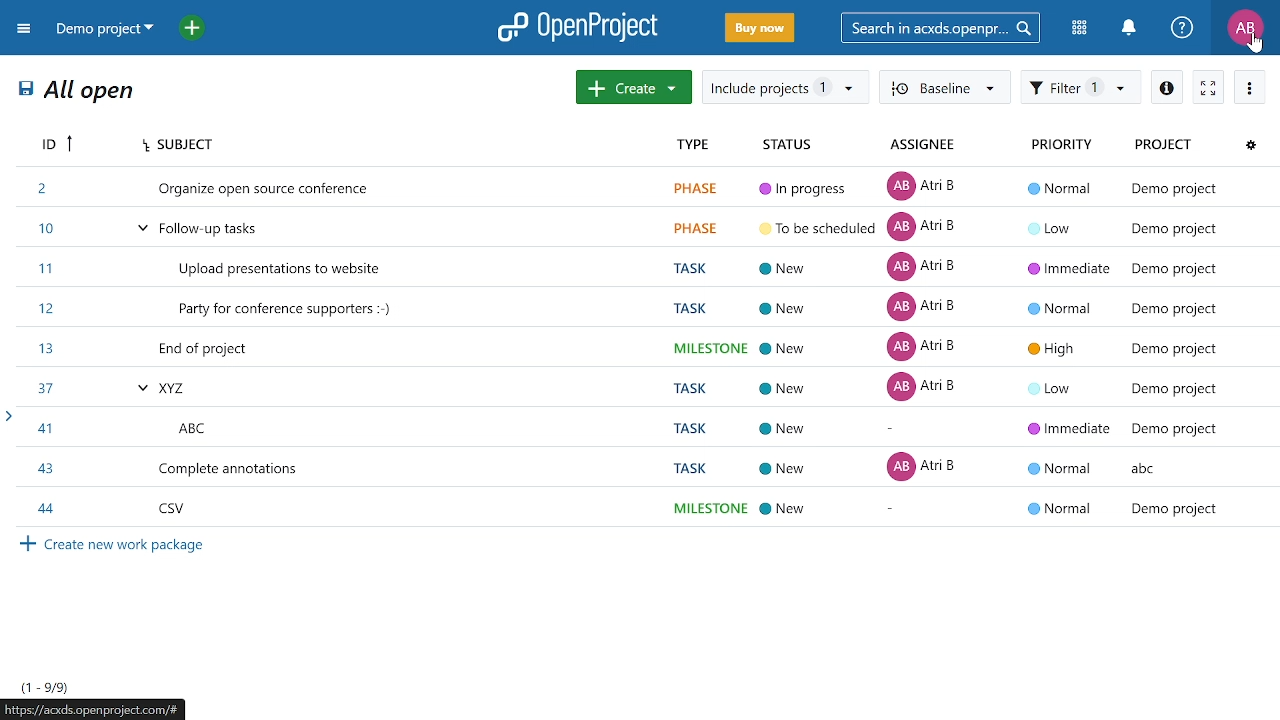  What do you see at coordinates (642, 269) in the screenshot?
I see `task titled "Updated presentations to website"` at bounding box center [642, 269].